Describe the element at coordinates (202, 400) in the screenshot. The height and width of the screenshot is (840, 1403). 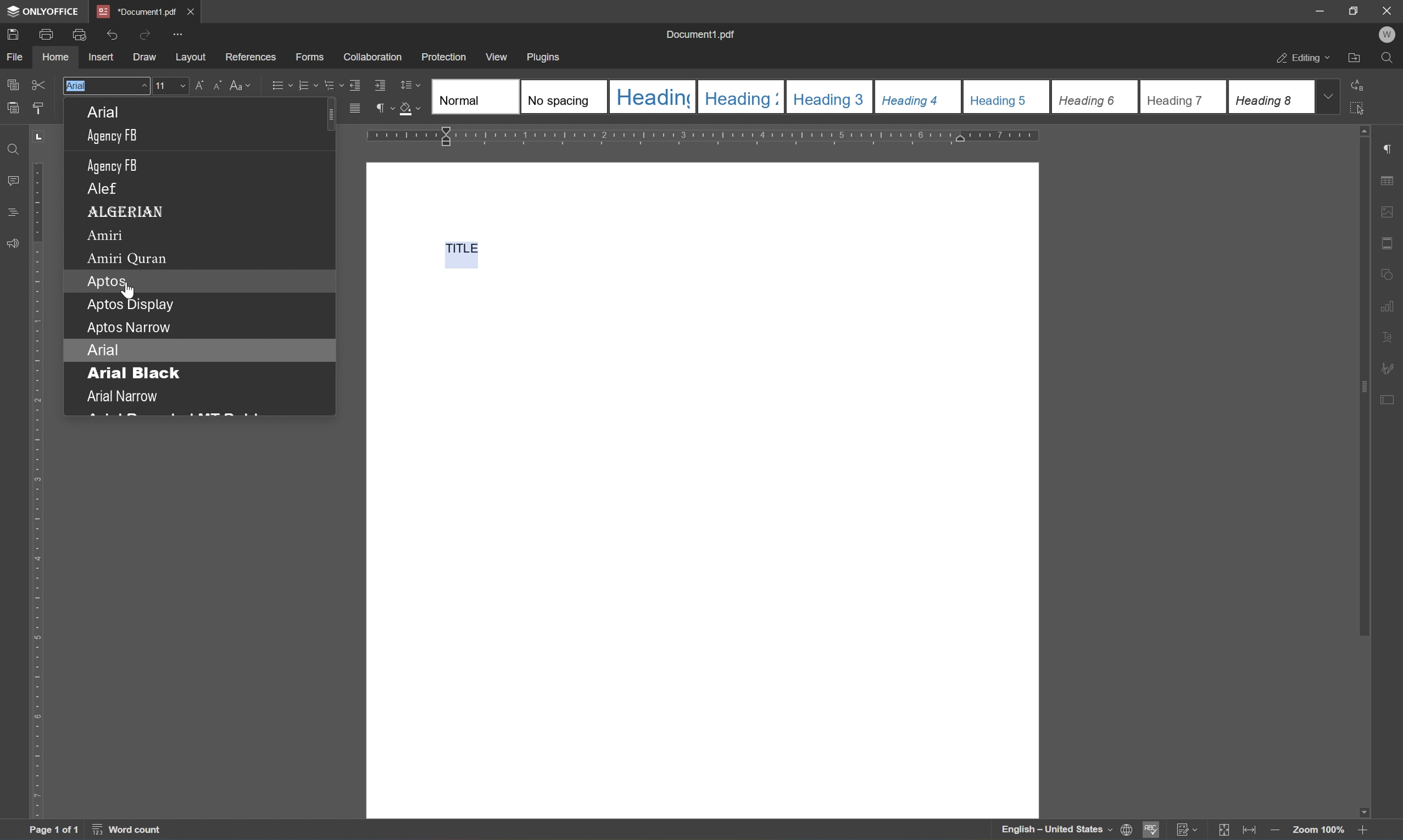
I see `Arial Narrow` at that location.